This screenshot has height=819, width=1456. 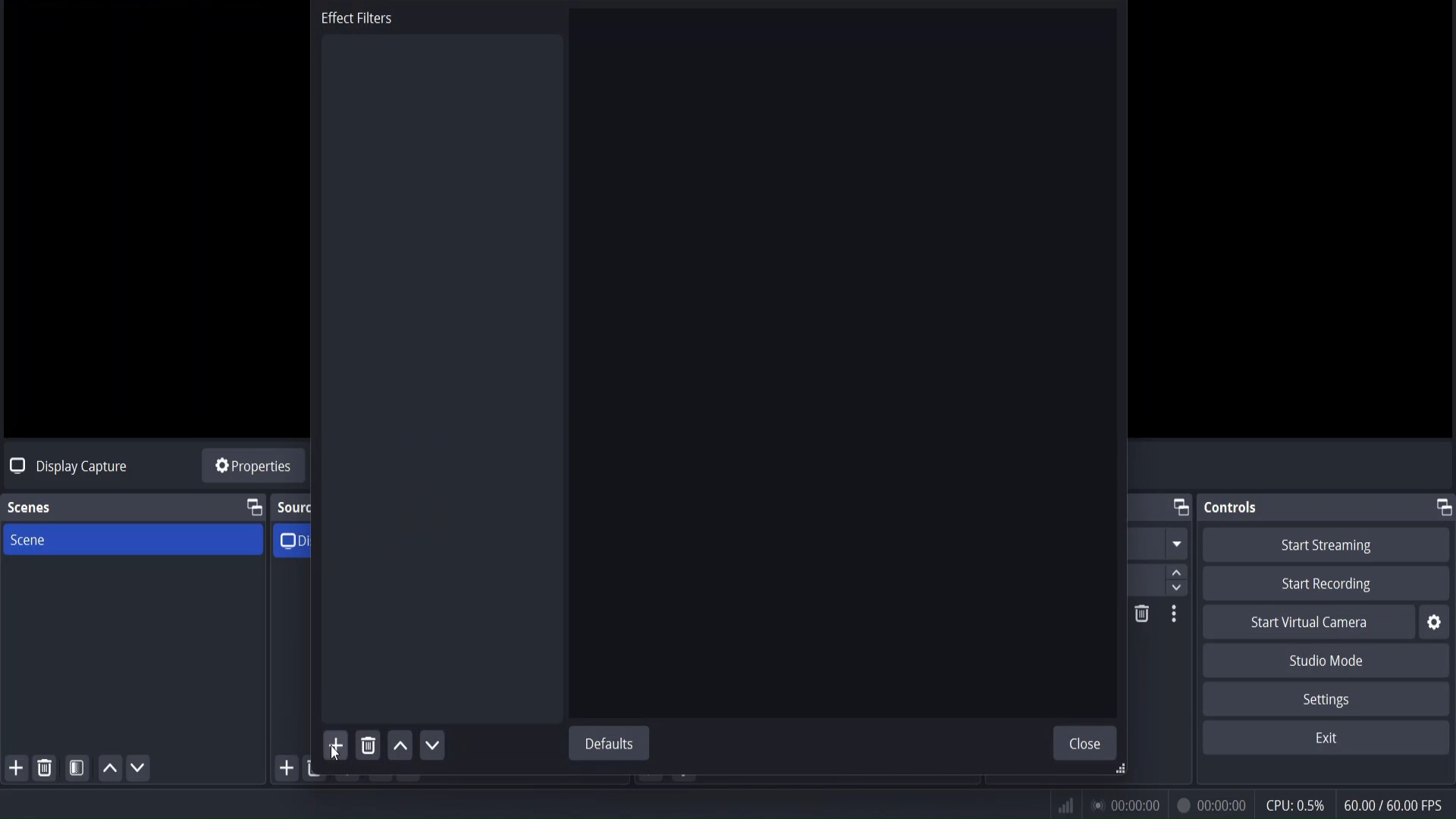 What do you see at coordinates (139, 770) in the screenshot?
I see `move scene down` at bounding box center [139, 770].